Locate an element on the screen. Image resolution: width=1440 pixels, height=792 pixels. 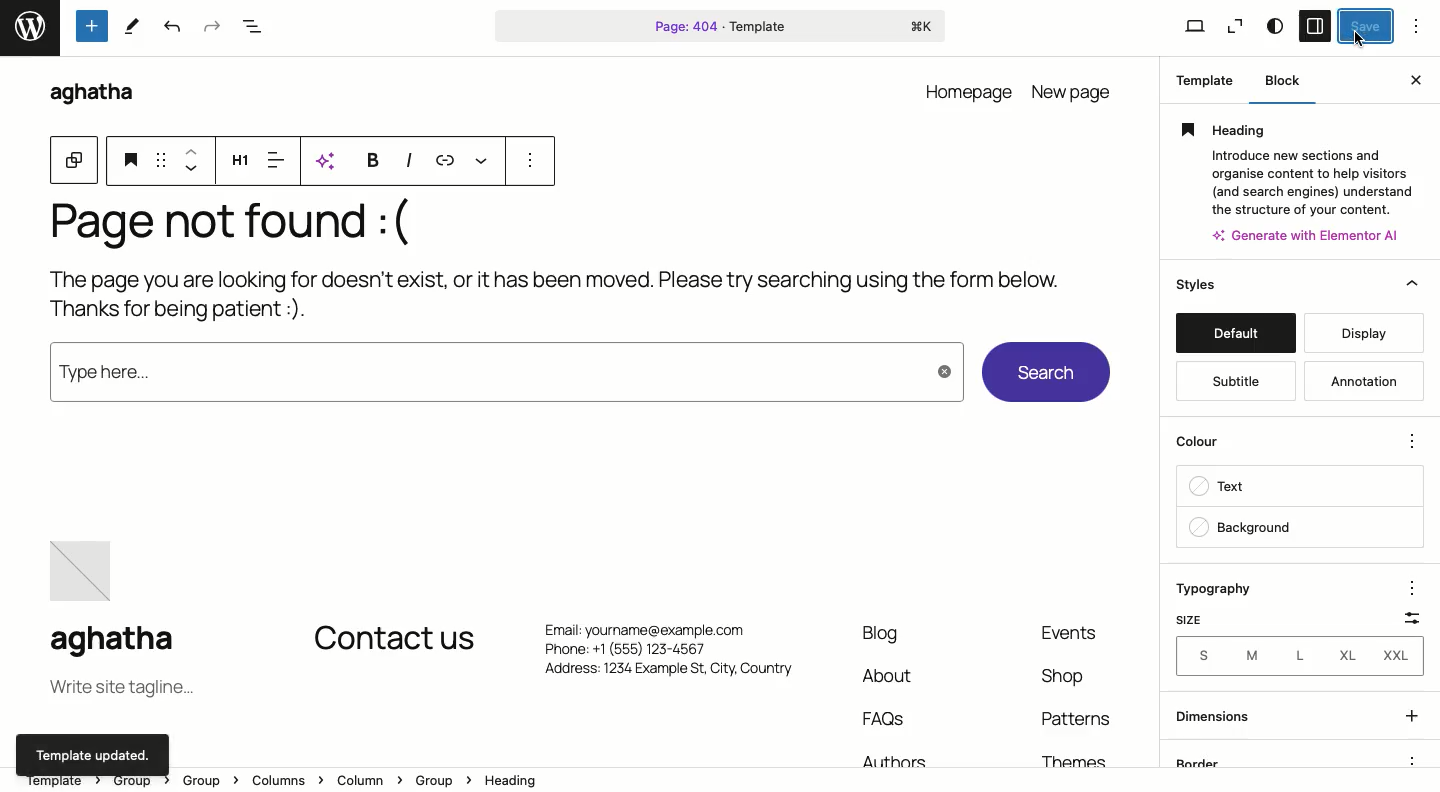
page not found is located at coordinates (209, 223).